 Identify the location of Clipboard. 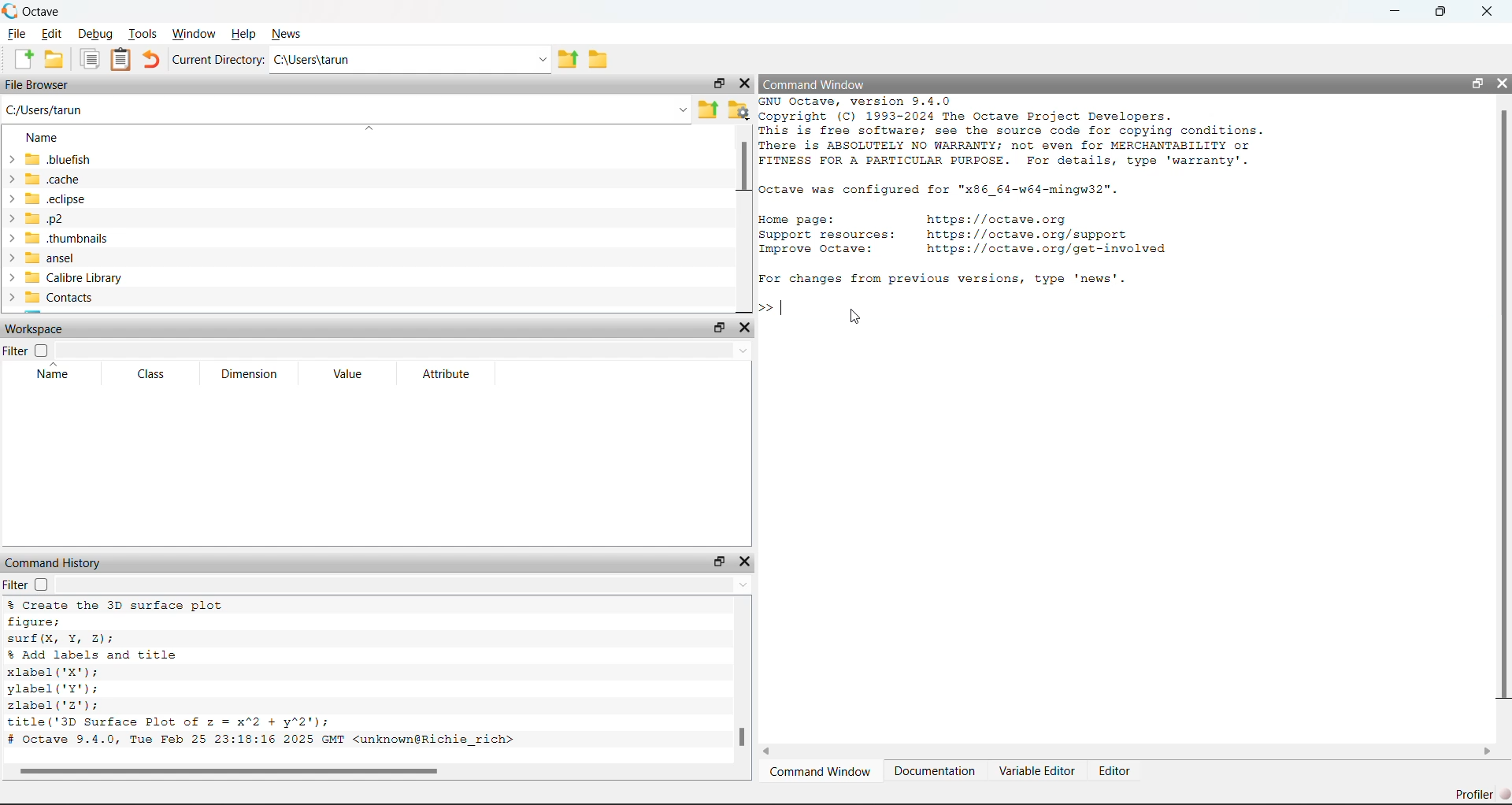
(120, 58).